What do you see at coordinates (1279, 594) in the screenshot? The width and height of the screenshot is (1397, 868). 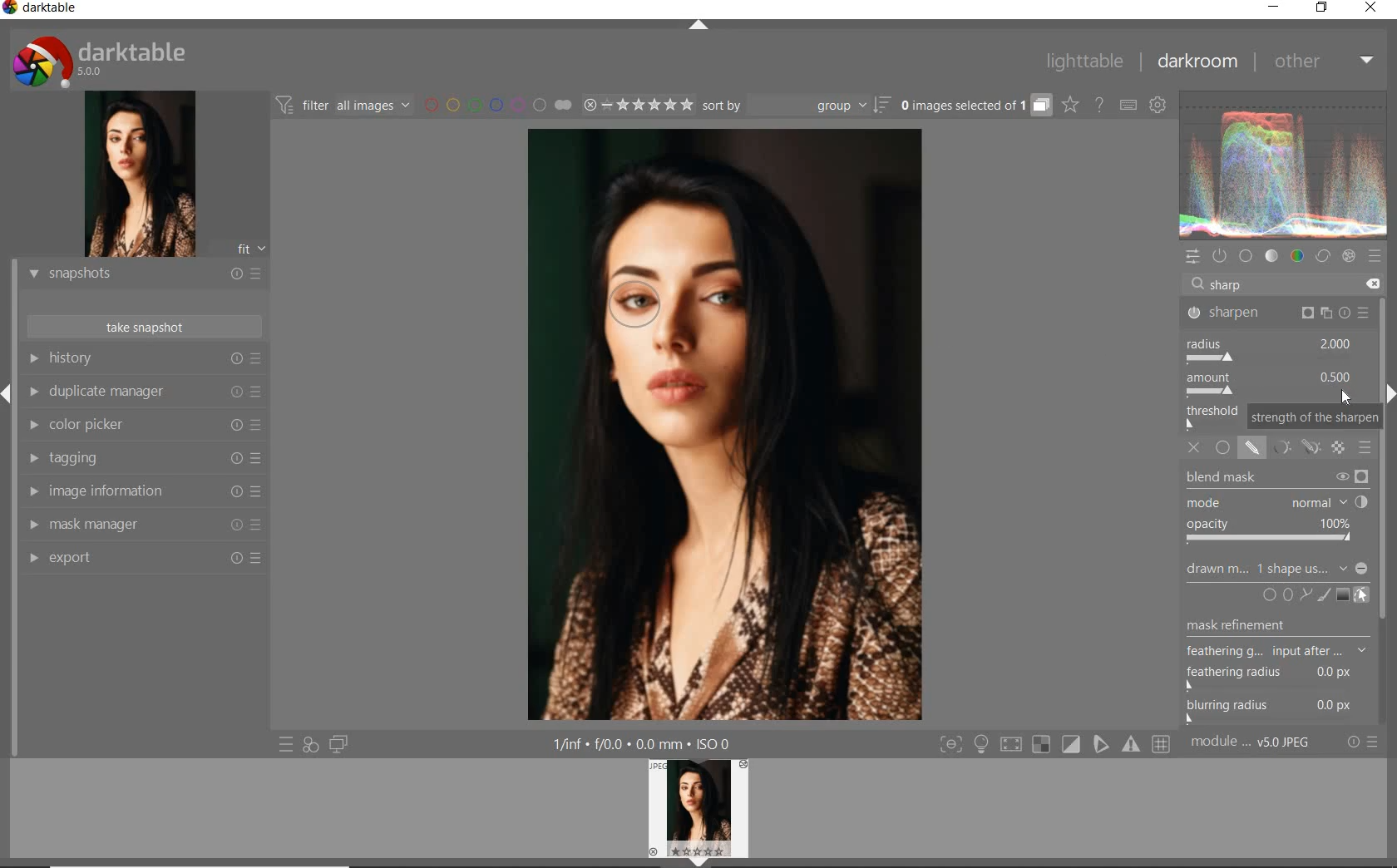 I see `add circle or ellipse` at bounding box center [1279, 594].